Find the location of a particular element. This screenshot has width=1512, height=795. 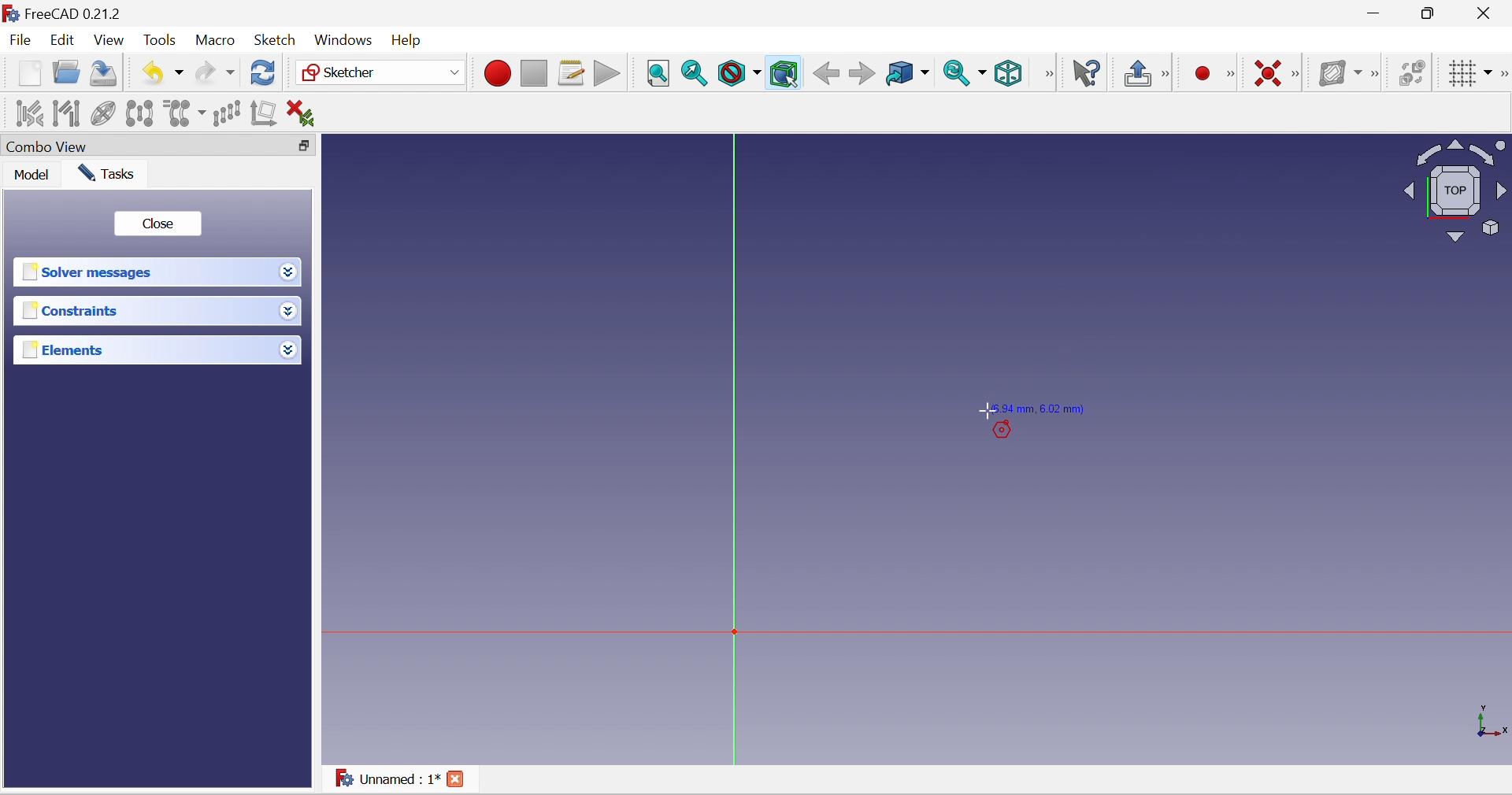

Open is located at coordinates (67, 74).